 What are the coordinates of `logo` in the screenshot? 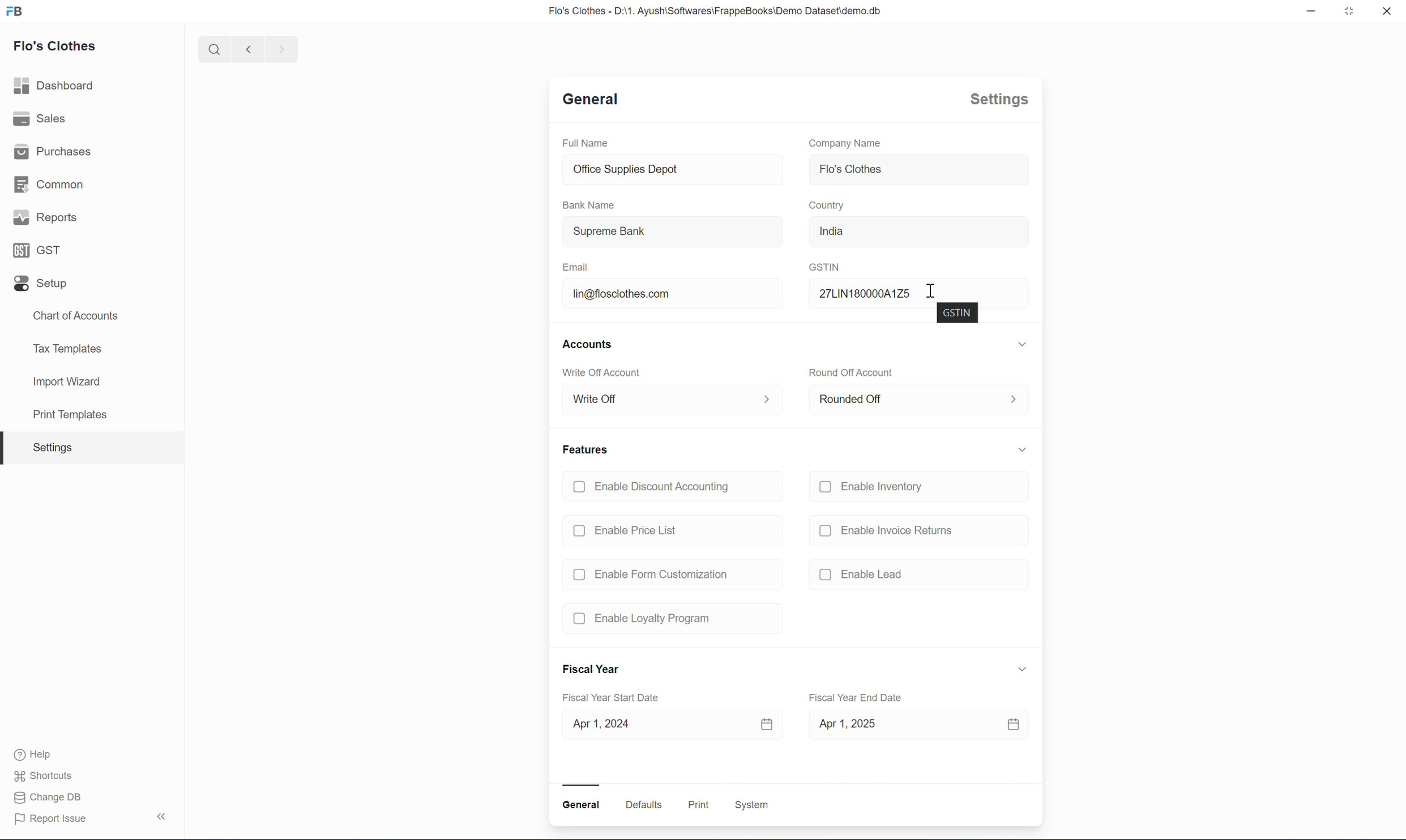 It's located at (15, 10).